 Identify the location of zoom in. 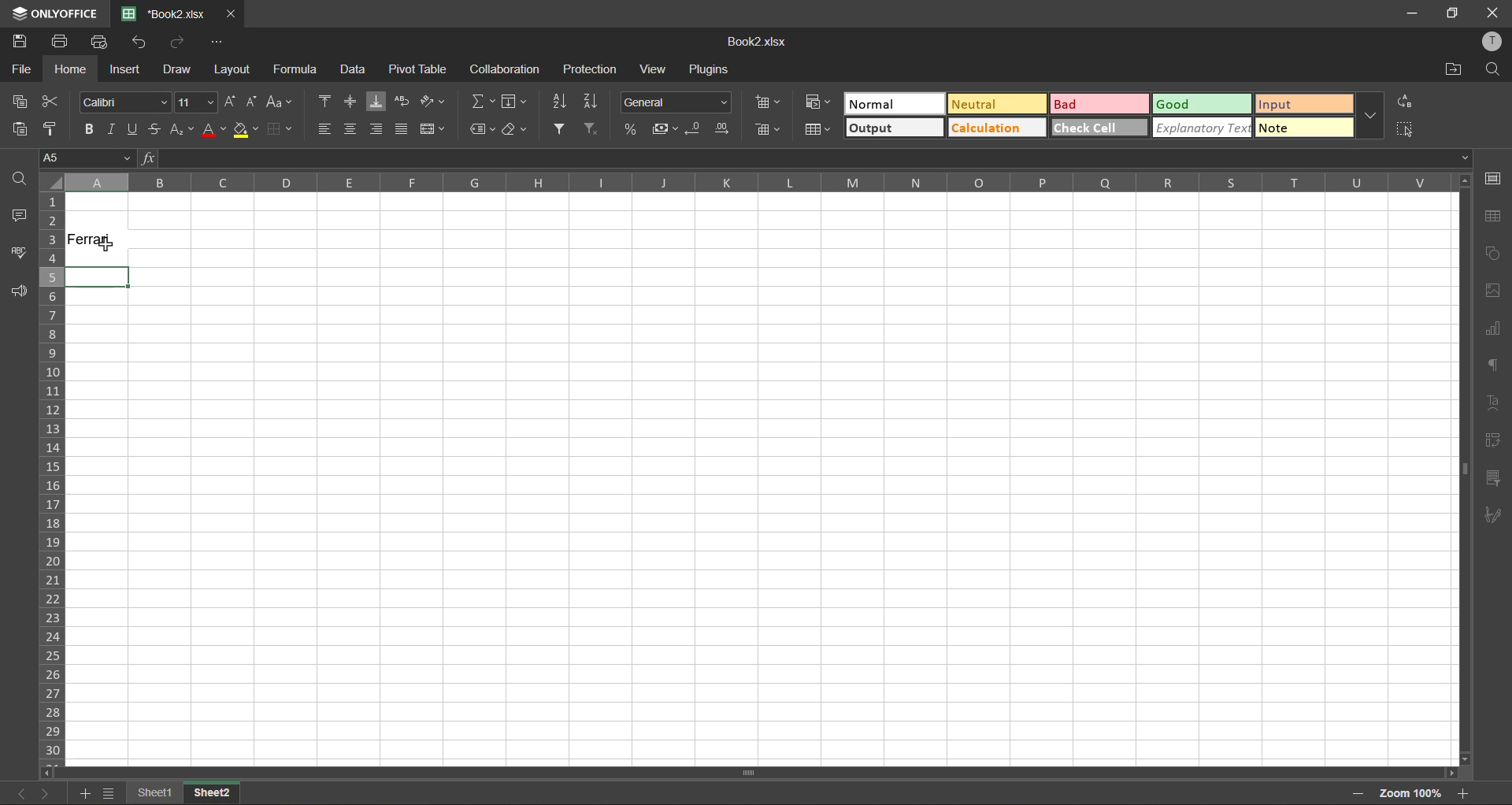
(1466, 793).